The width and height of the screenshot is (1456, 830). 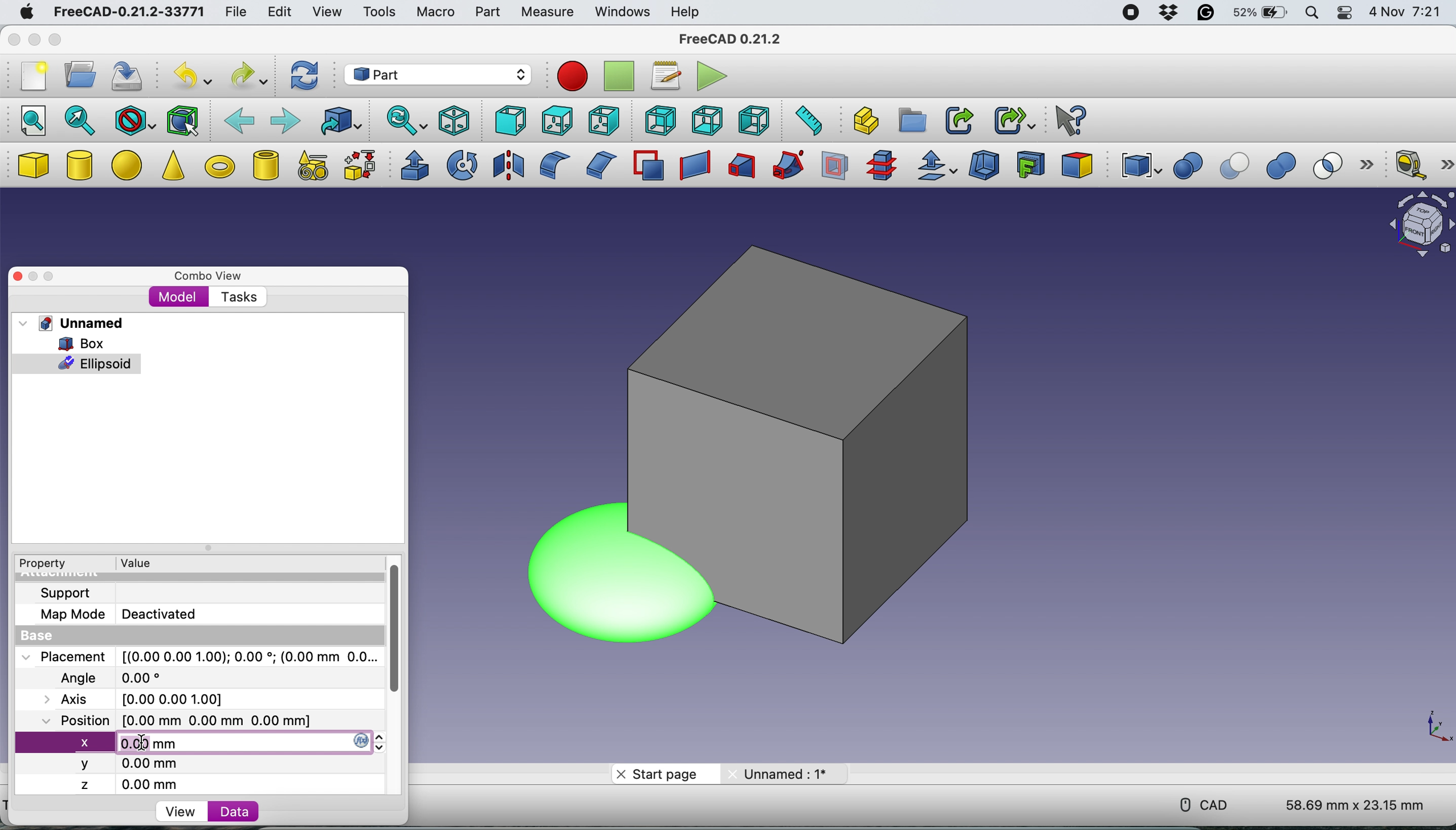 I want to click on FreeCAD 0.21.2, so click(x=731, y=39).